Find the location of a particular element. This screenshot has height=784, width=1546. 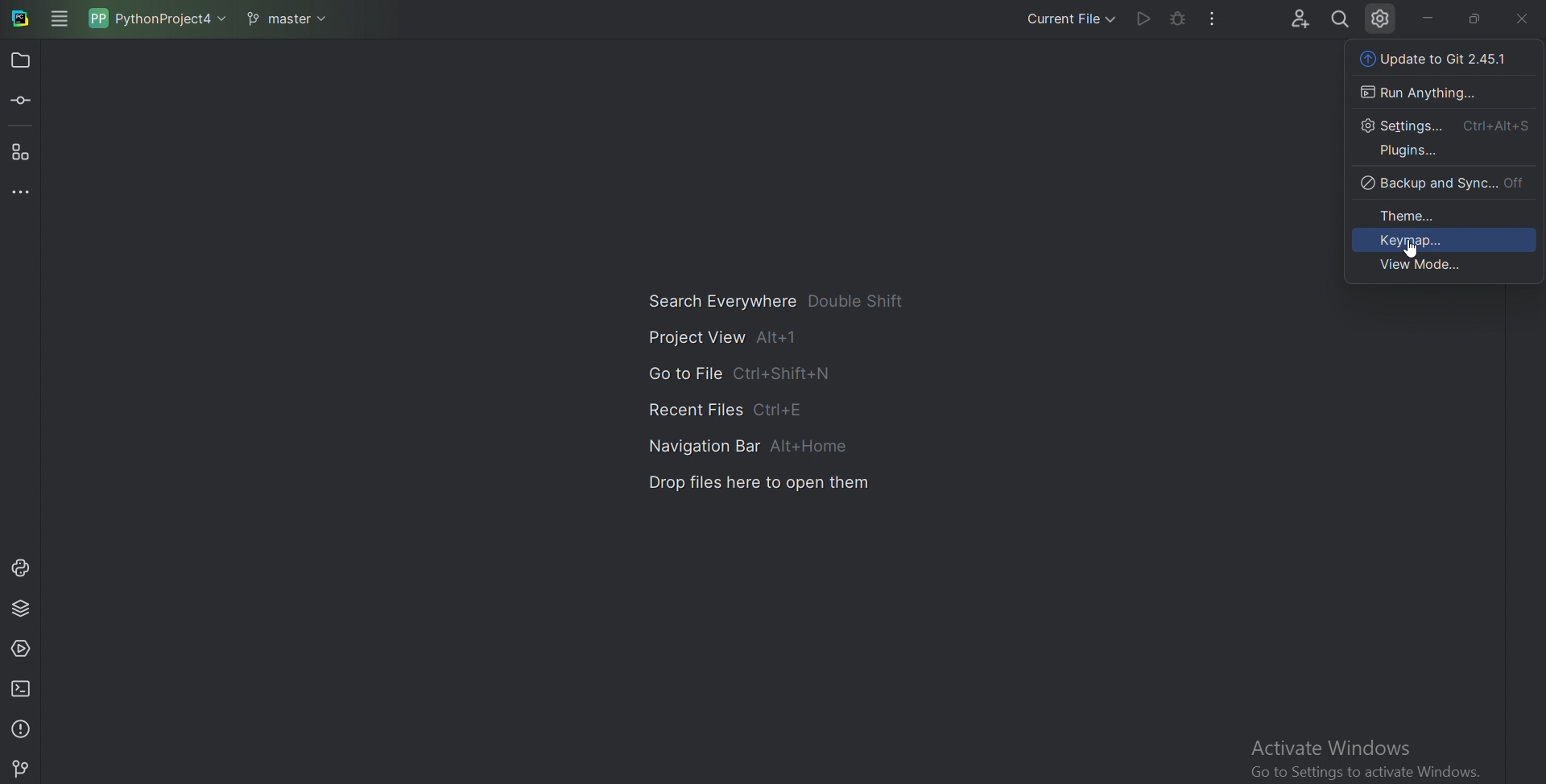

Current file is located at coordinates (1055, 19).